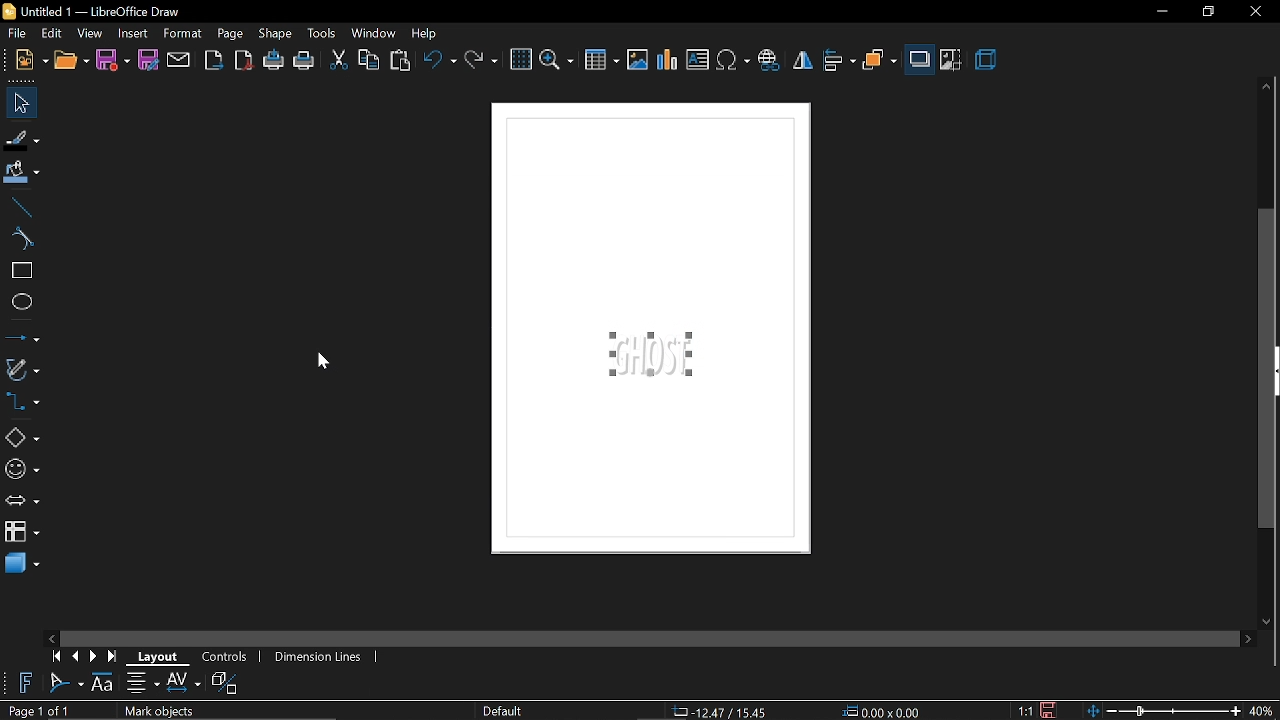  I want to click on grid, so click(521, 60).